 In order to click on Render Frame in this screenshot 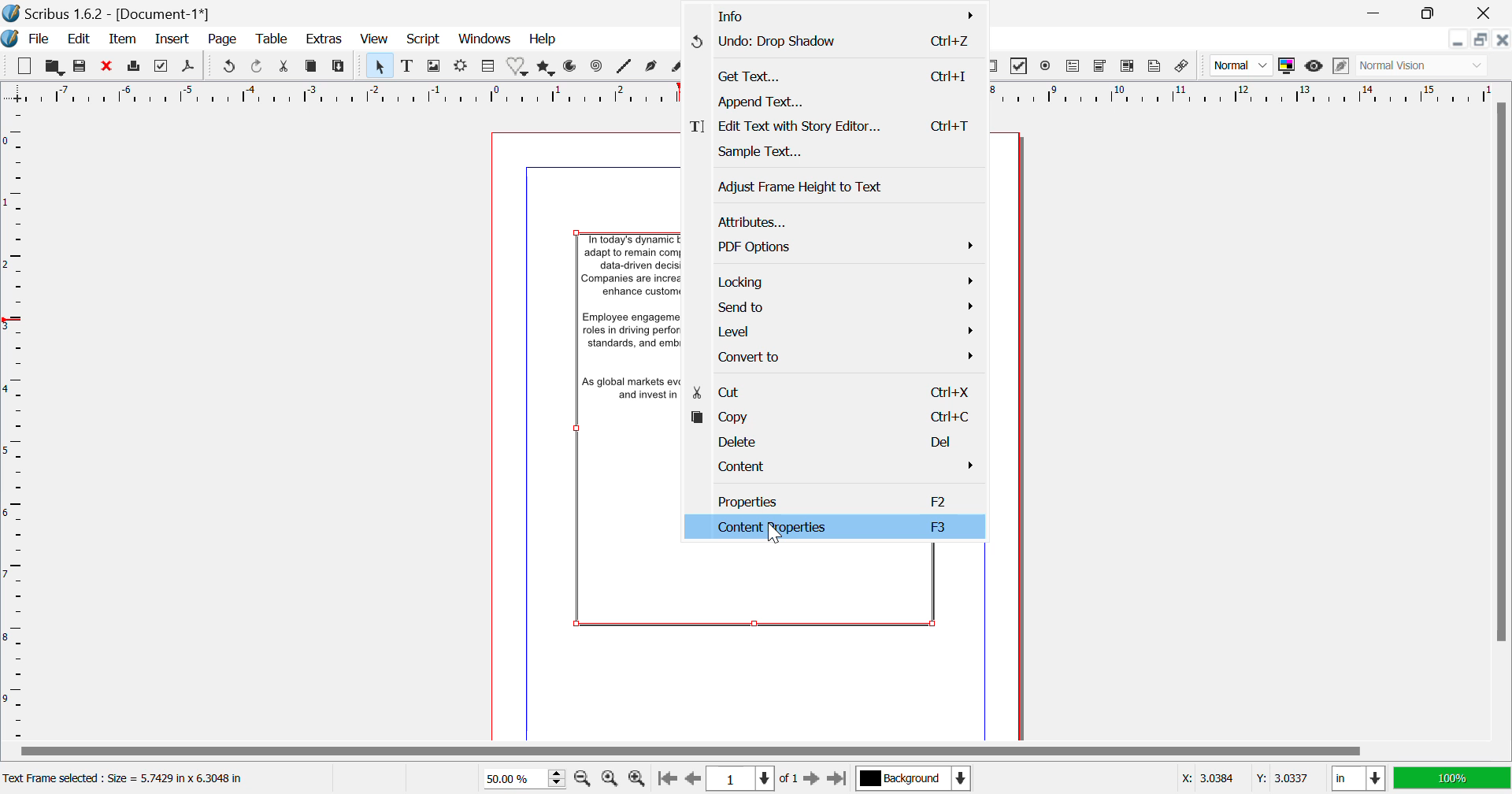, I will do `click(464, 66)`.